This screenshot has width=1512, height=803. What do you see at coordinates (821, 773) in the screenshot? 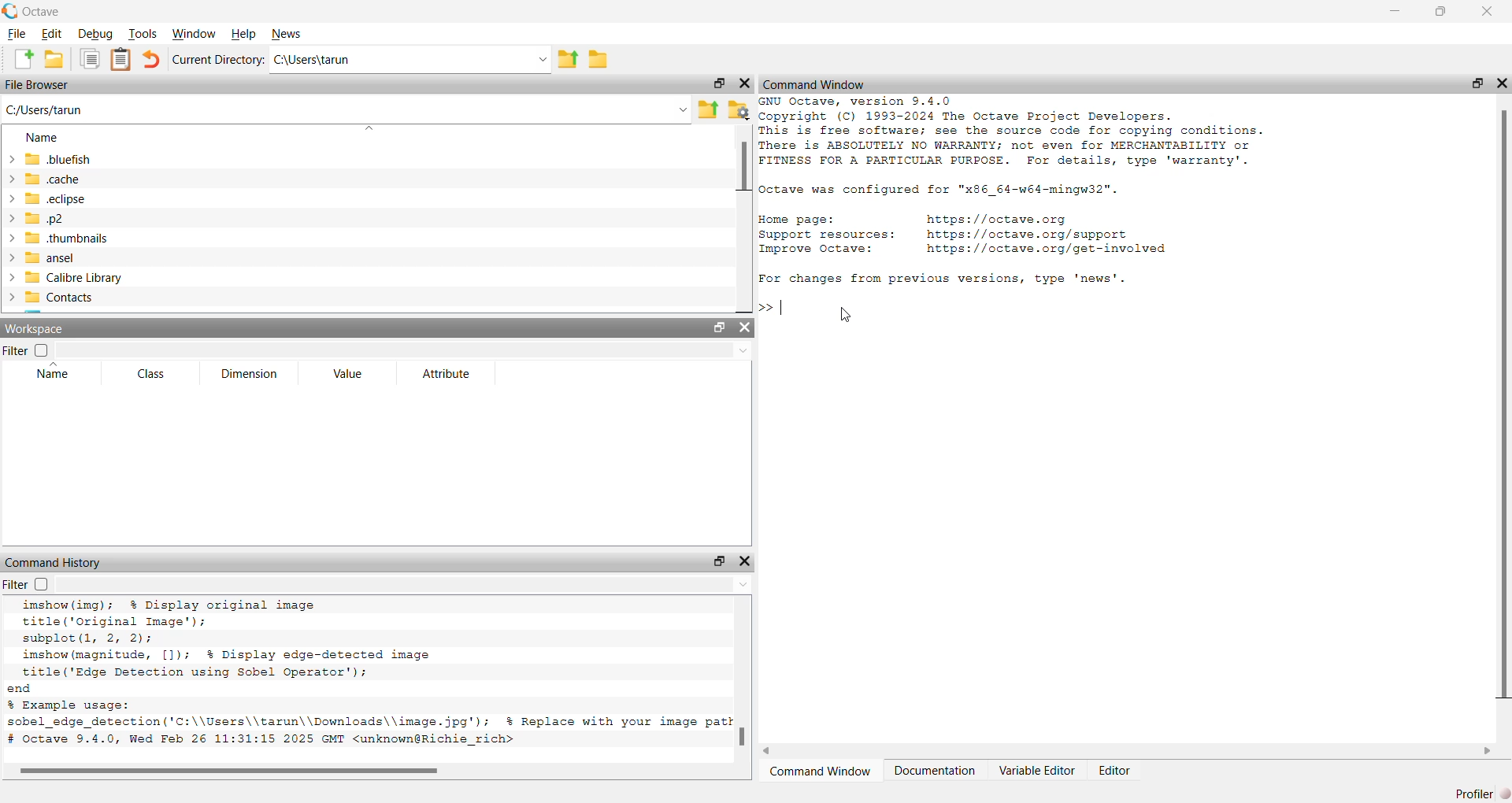
I see `Command Window` at bounding box center [821, 773].